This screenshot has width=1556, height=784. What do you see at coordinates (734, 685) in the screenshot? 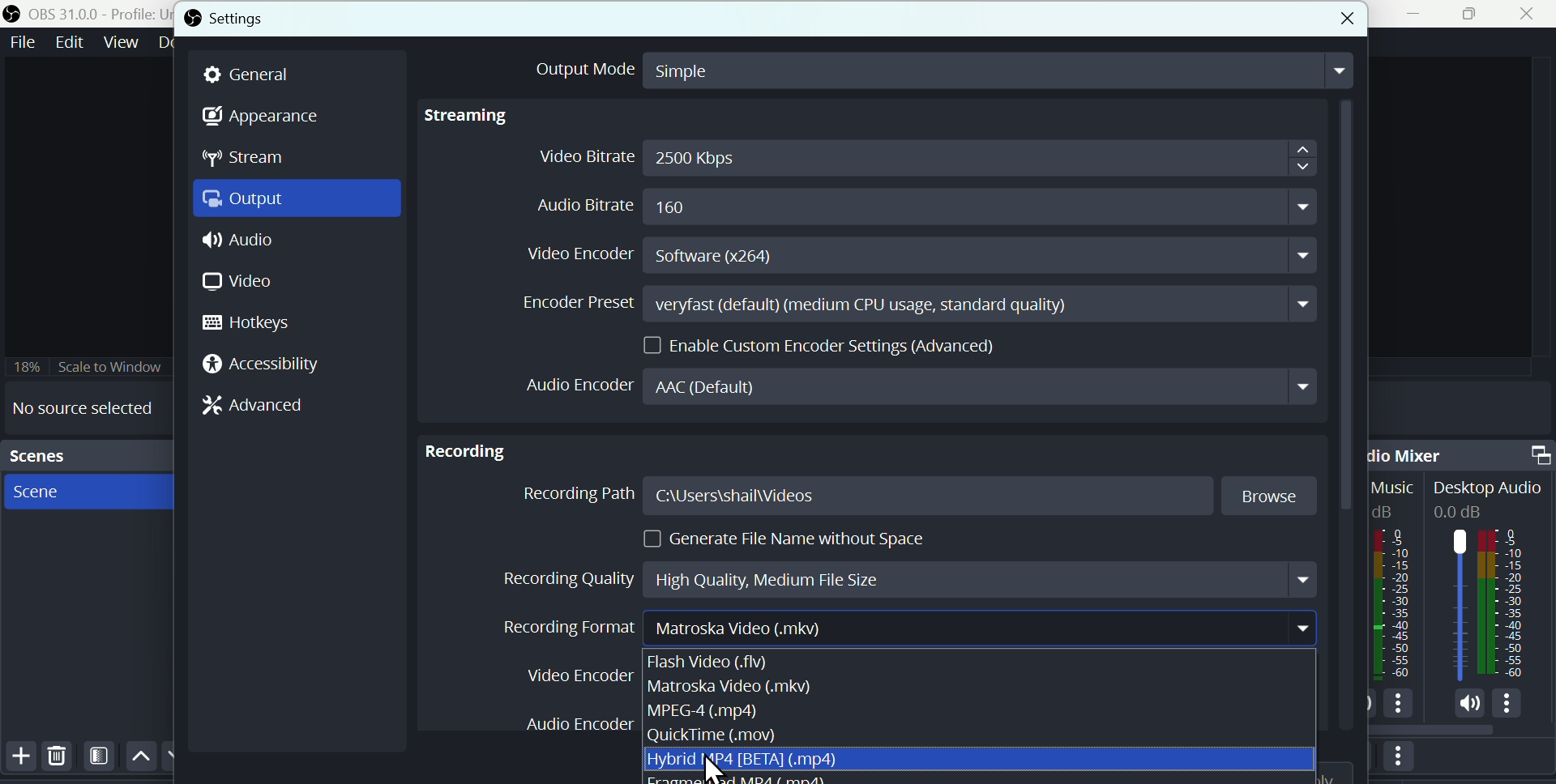
I see `matroska video` at bounding box center [734, 685].